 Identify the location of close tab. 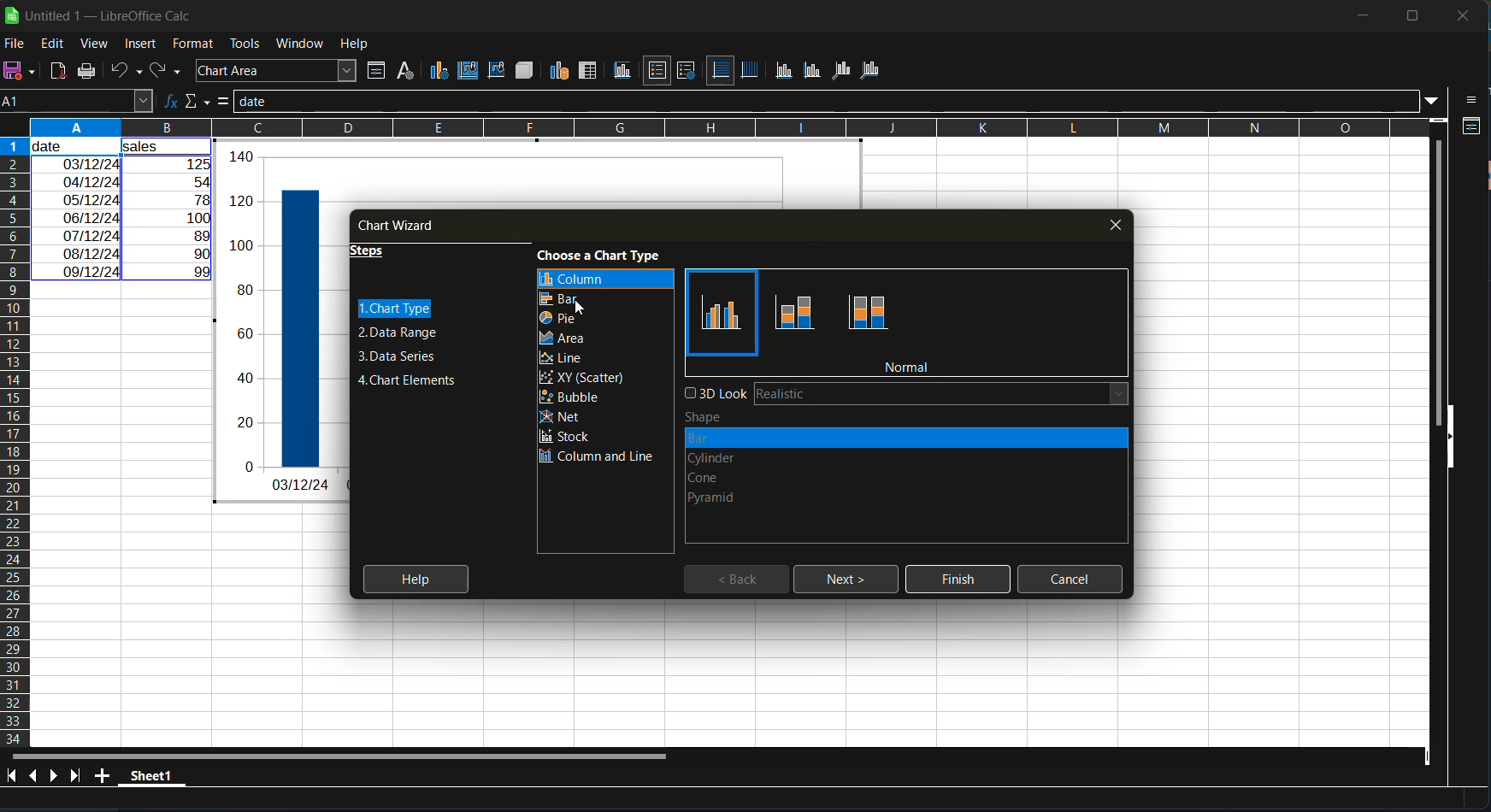
(1117, 223).